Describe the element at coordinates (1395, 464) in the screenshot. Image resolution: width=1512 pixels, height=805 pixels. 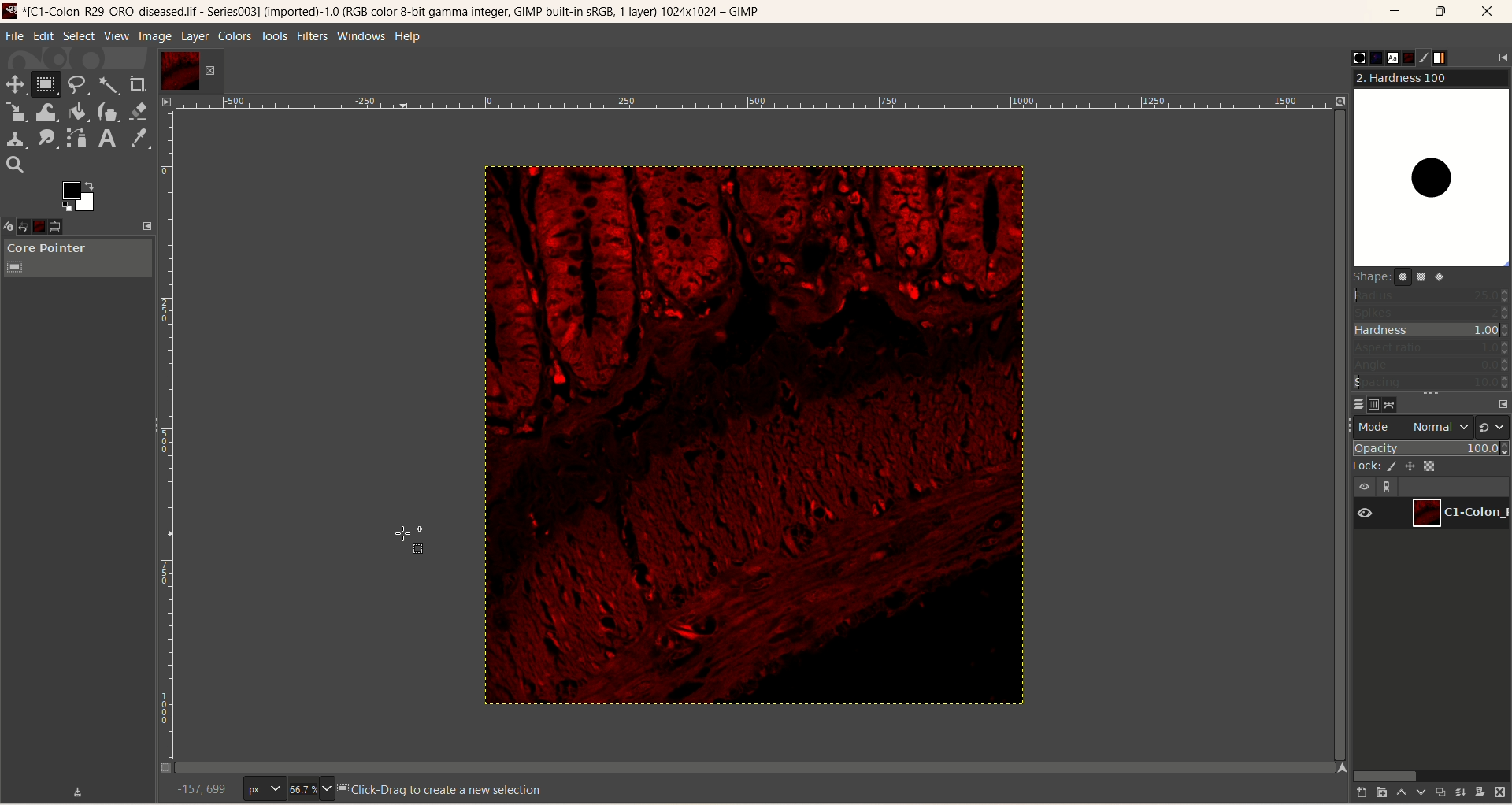
I see `lock pixel` at that location.